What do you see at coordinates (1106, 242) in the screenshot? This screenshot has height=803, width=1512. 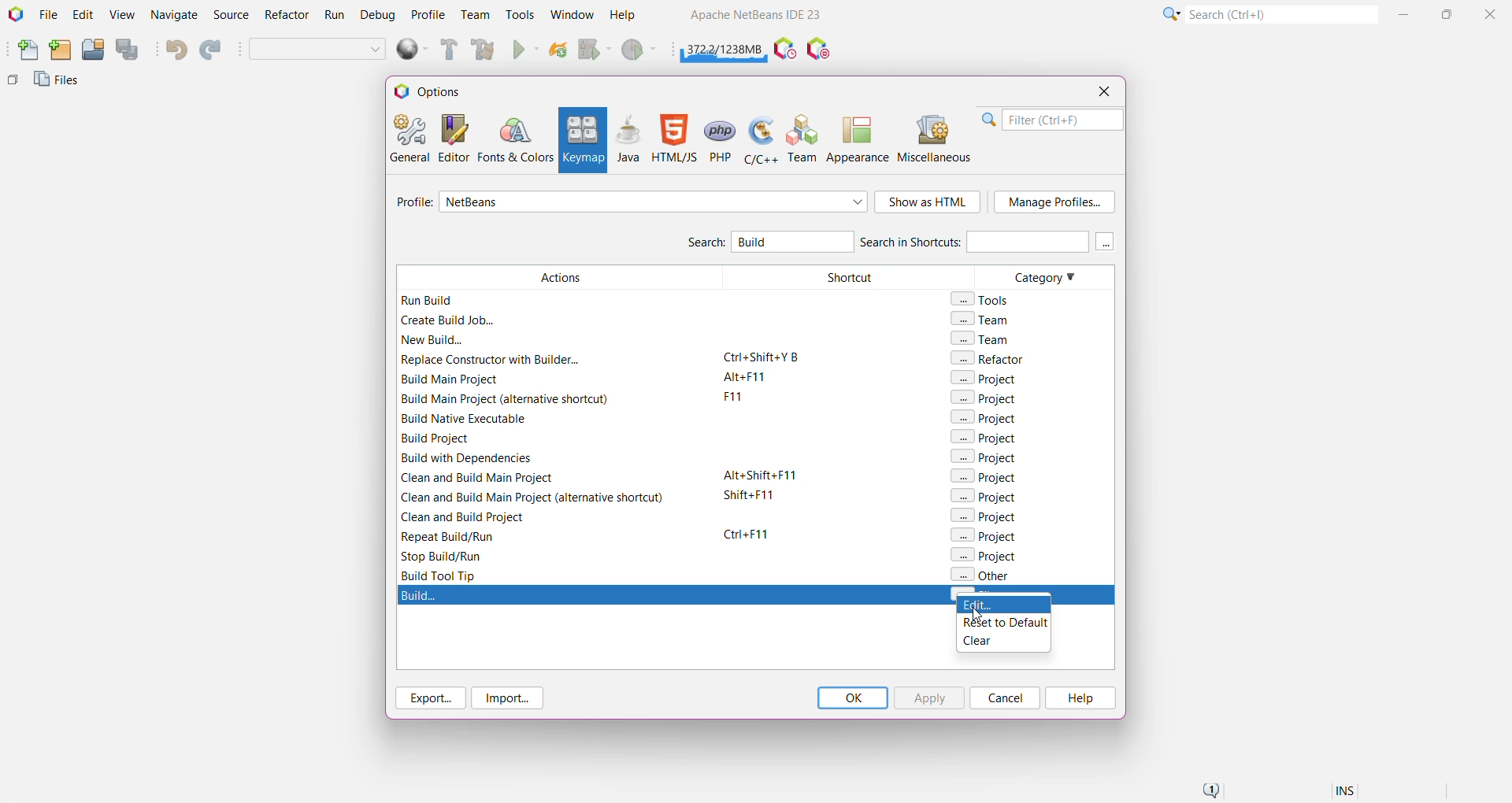 I see `More keys` at bounding box center [1106, 242].